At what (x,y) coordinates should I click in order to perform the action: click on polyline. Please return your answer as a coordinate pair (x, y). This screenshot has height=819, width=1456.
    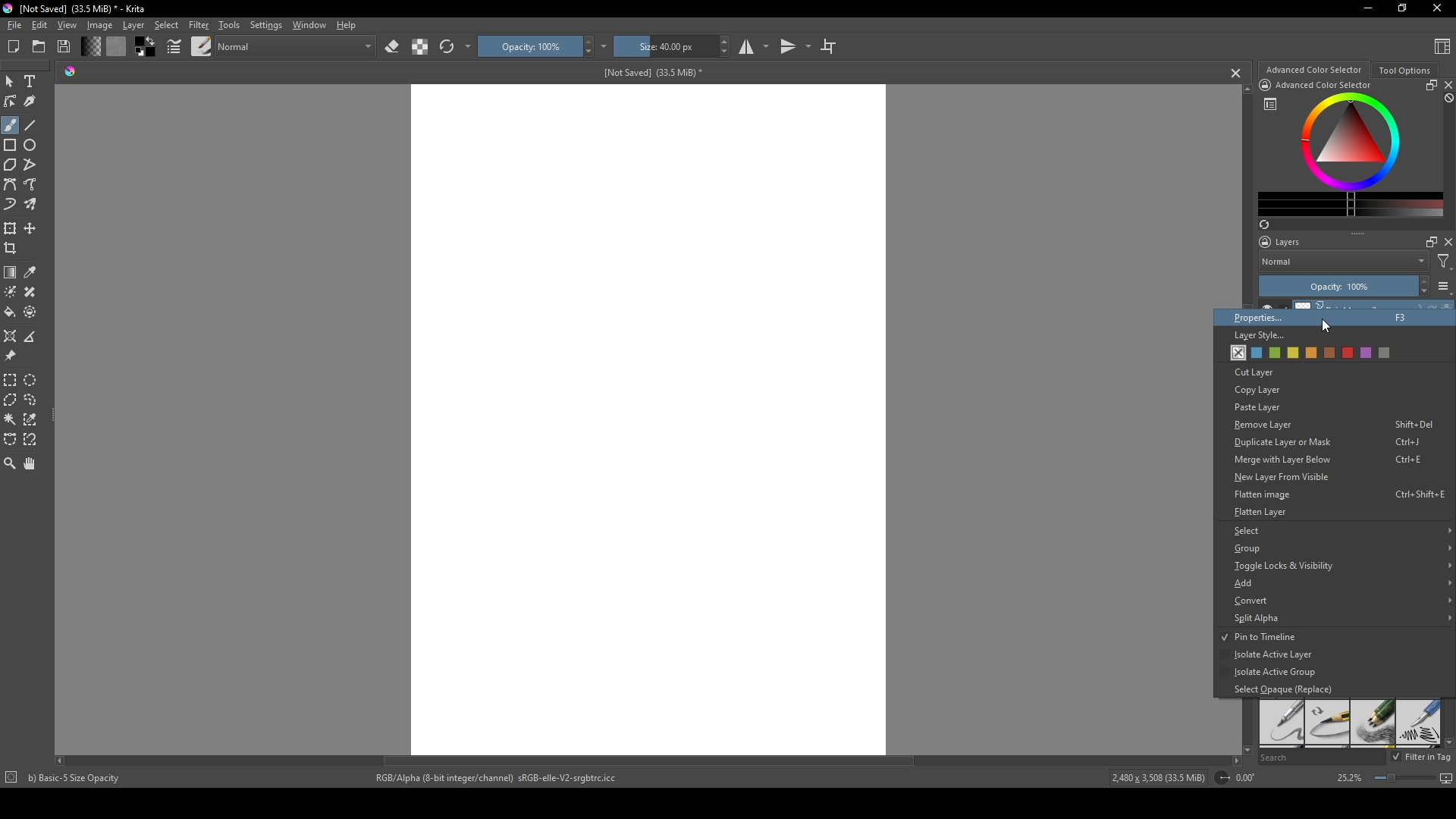
    Looking at the image, I should click on (32, 165).